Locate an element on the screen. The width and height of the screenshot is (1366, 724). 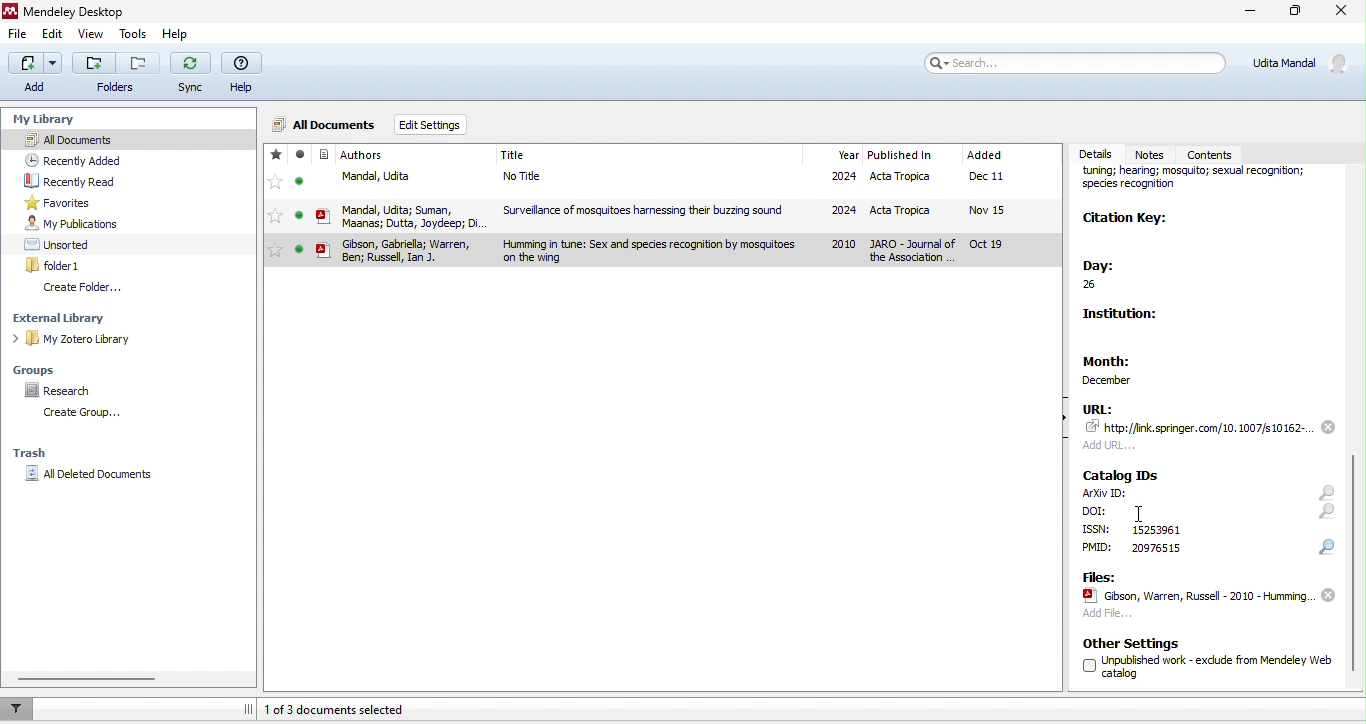
seen/unseen is located at coordinates (300, 186).